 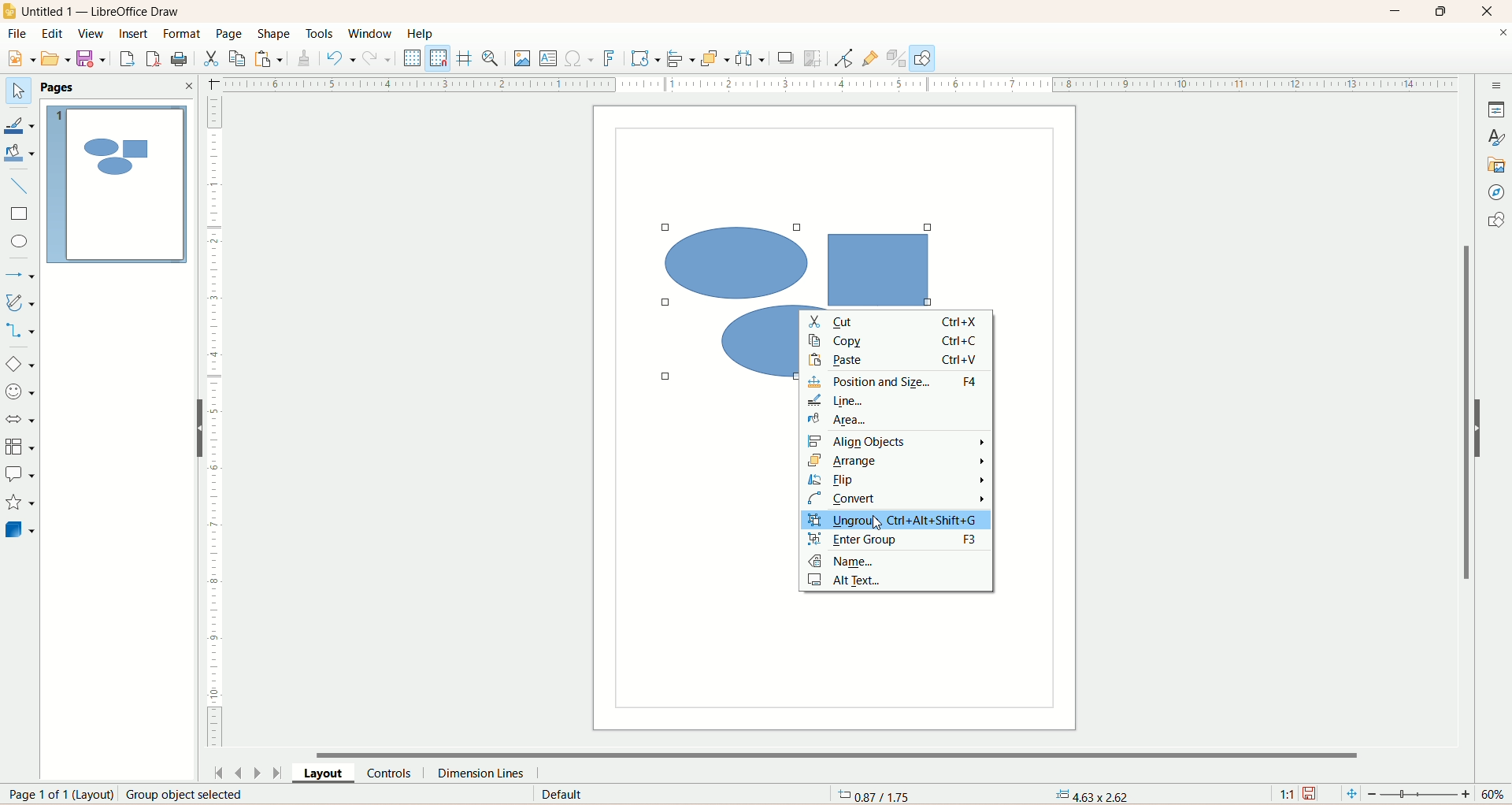 What do you see at coordinates (493, 58) in the screenshot?
I see `zoom and pan` at bounding box center [493, 58].